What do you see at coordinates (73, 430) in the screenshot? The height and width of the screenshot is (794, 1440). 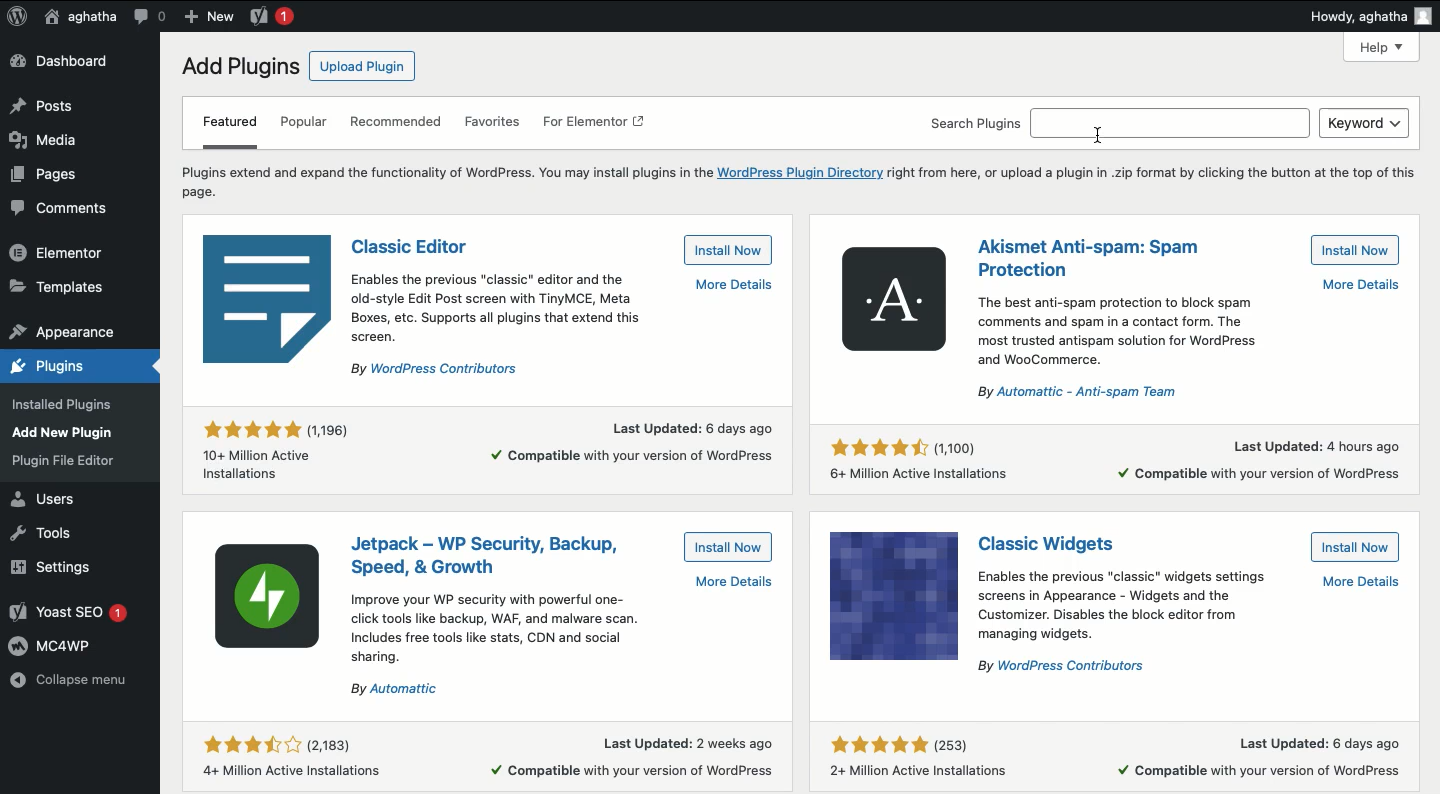 I see `Appearance` at bounding box center [73, 430].